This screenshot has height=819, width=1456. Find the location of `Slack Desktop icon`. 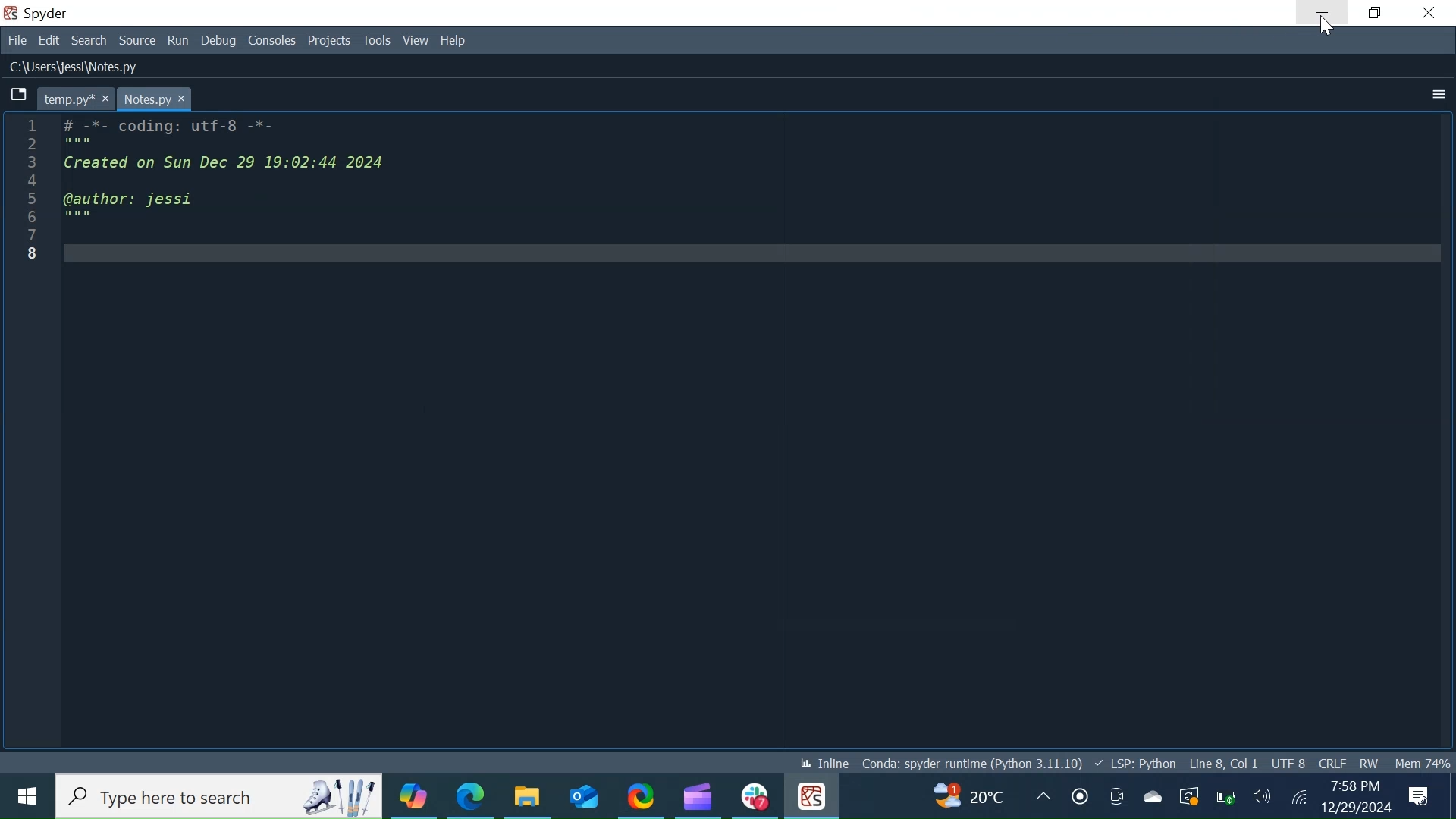

Slack Desktop icon is located at coordinates (752, 796).